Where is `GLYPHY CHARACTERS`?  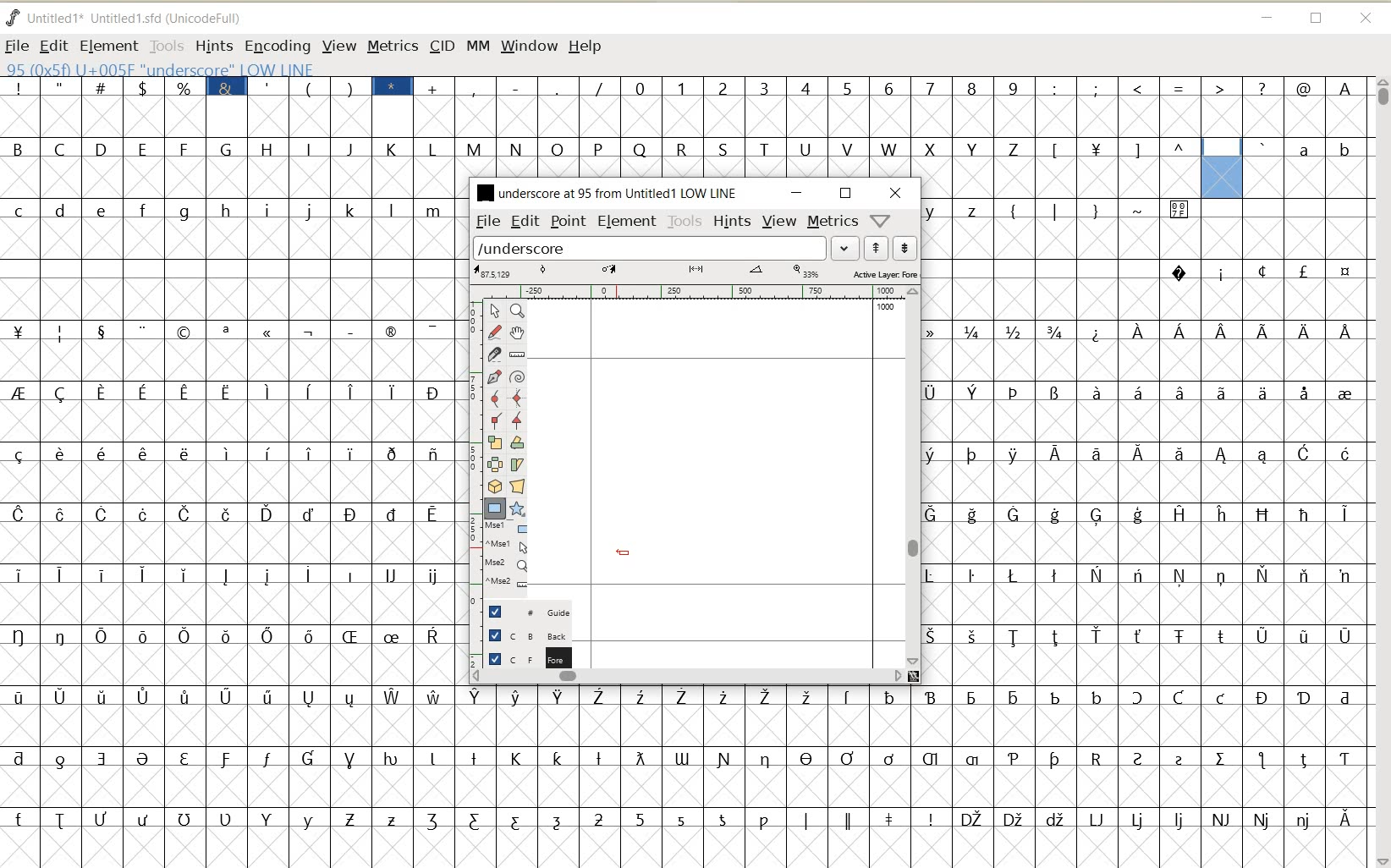 GLYPHY CHARACTERS is located at coordinates (1059, 491).